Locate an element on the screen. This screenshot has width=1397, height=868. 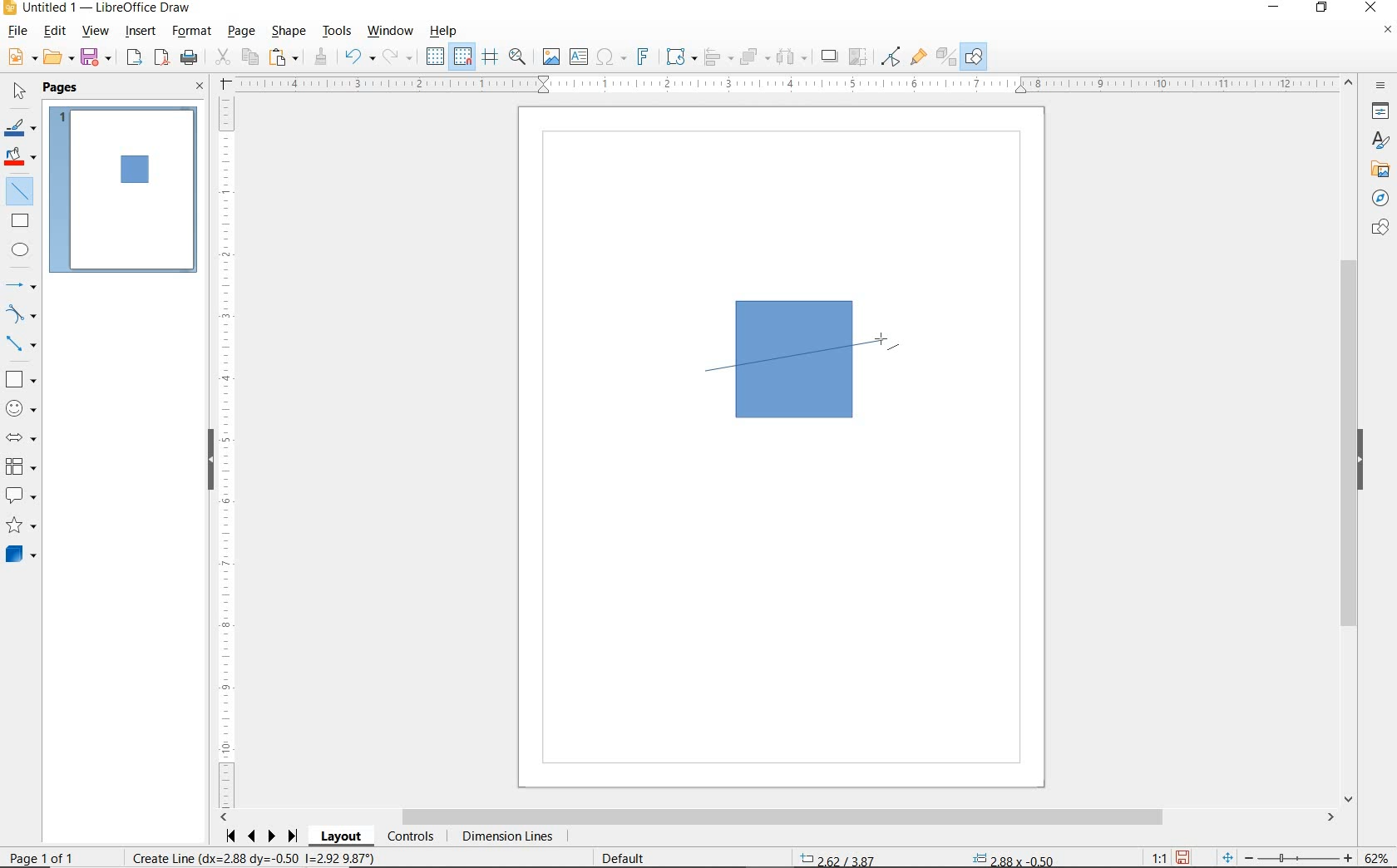
ZOOM FACTOR is located at coordinates (1375, 858).